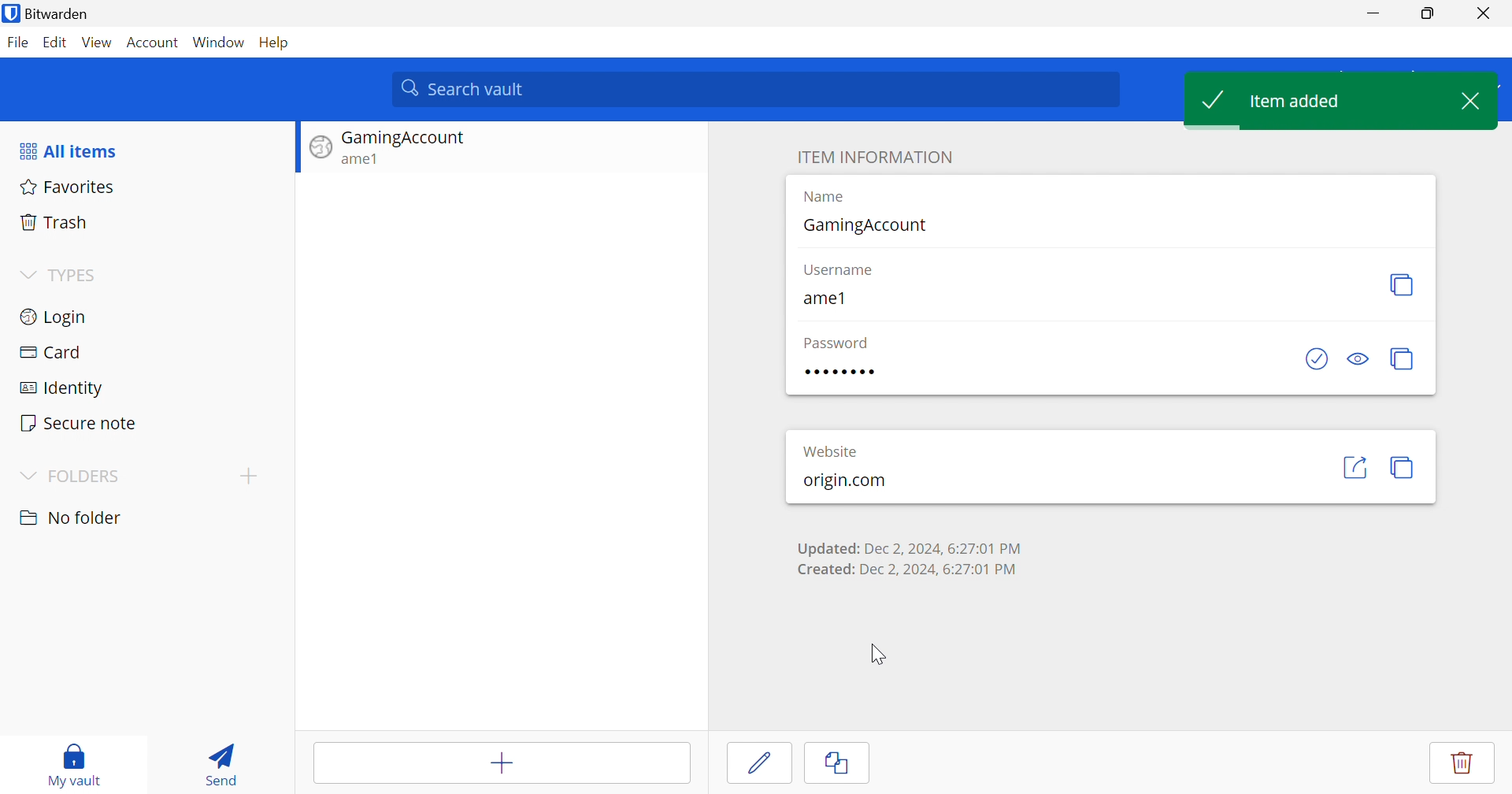 The image size is (1512, 794). Describe the element at coordinates (866, 226) in the screenshot. I see `GamingAccount` at that location.